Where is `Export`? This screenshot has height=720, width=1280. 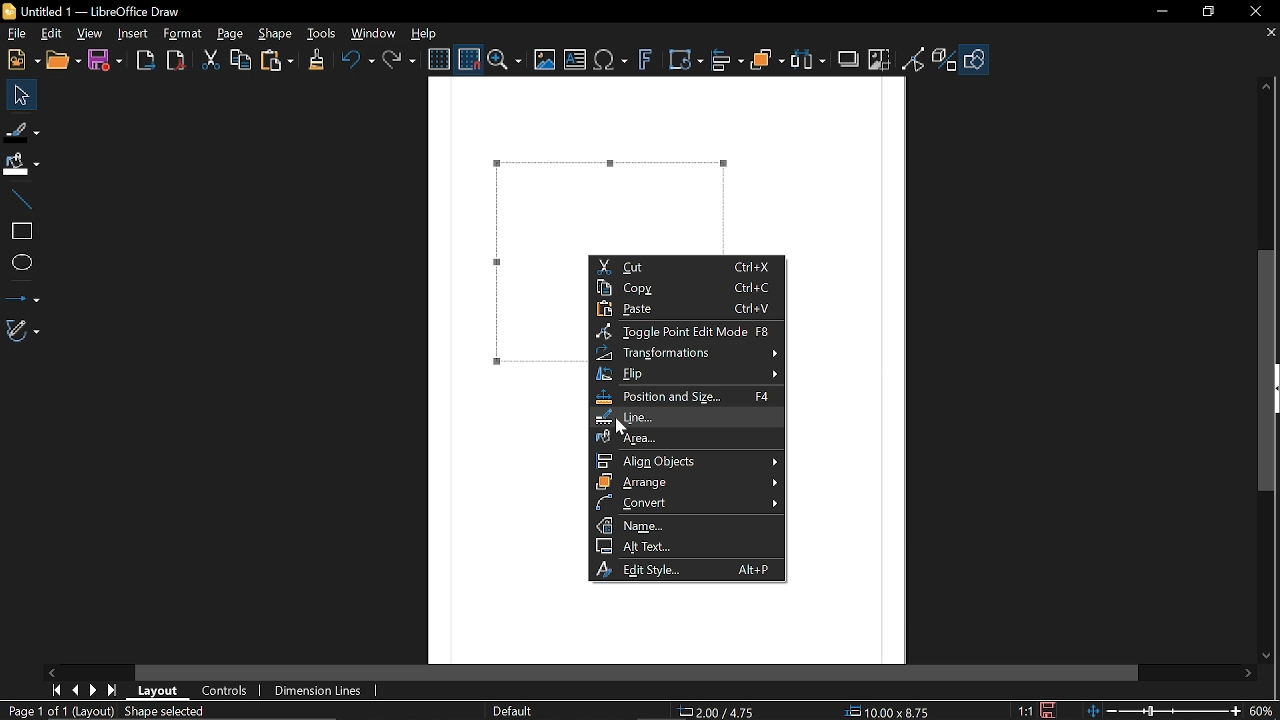 Export is located at coordinates (146, 62).